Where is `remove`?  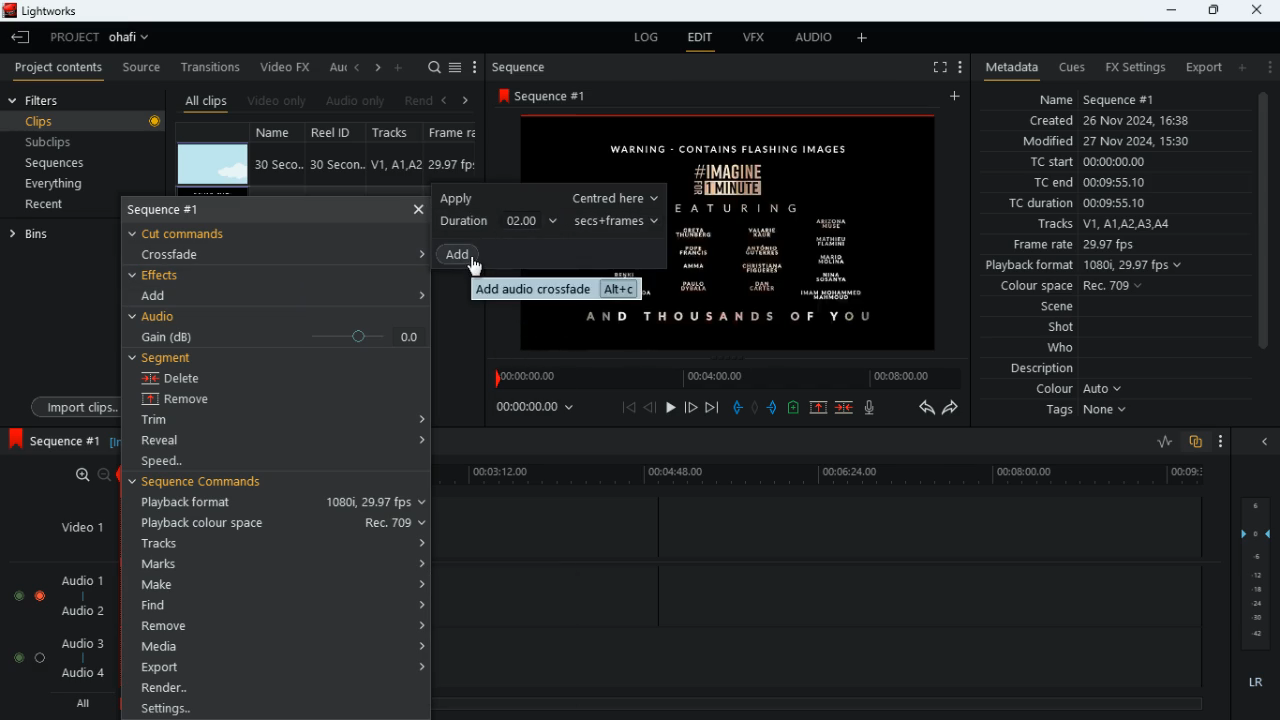
remove is located at coordinates (192, 400).